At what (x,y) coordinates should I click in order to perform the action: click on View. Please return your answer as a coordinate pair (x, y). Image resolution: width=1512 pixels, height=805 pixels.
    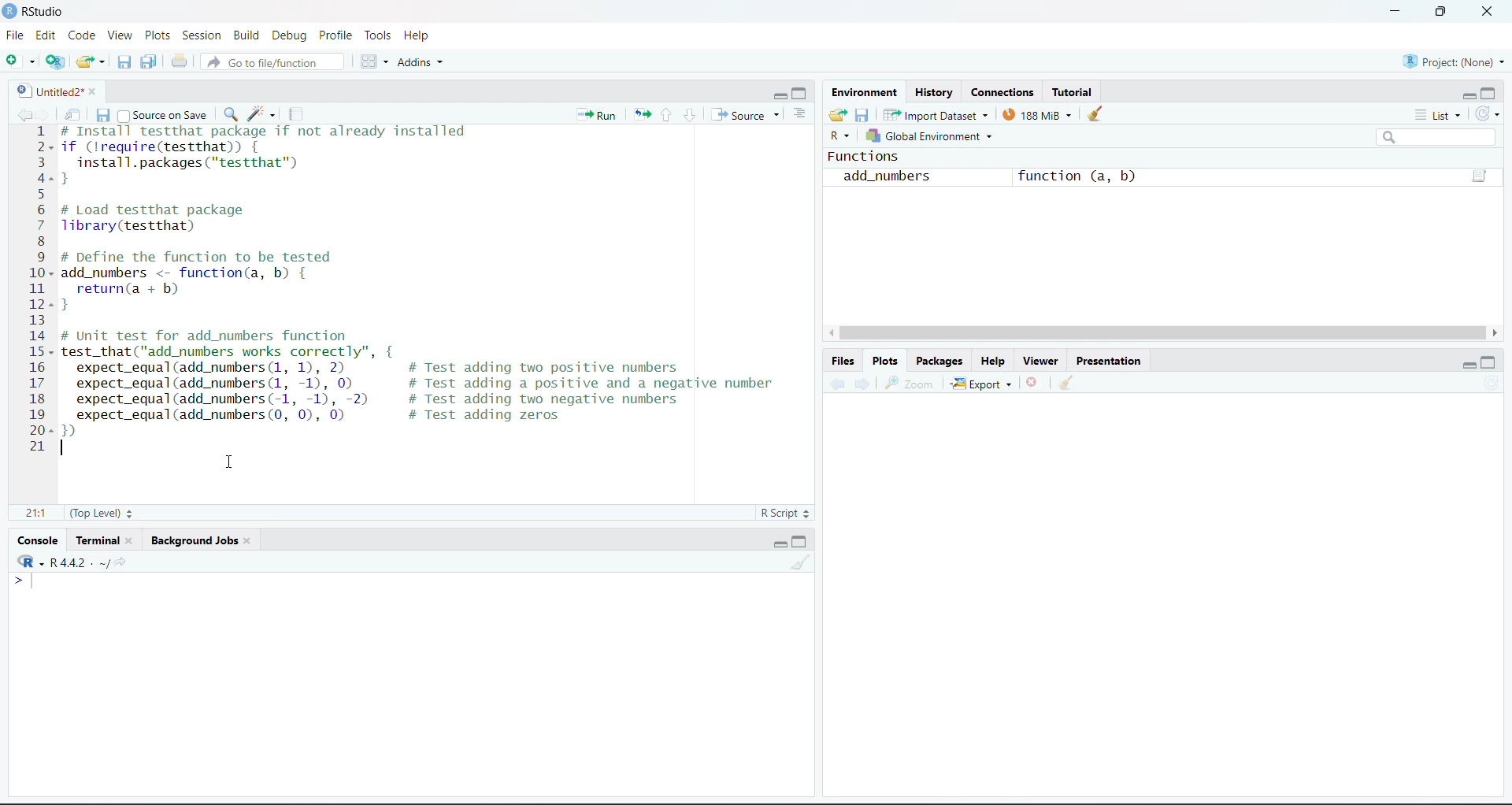
    Looking at the image, I should click on (123, 34).